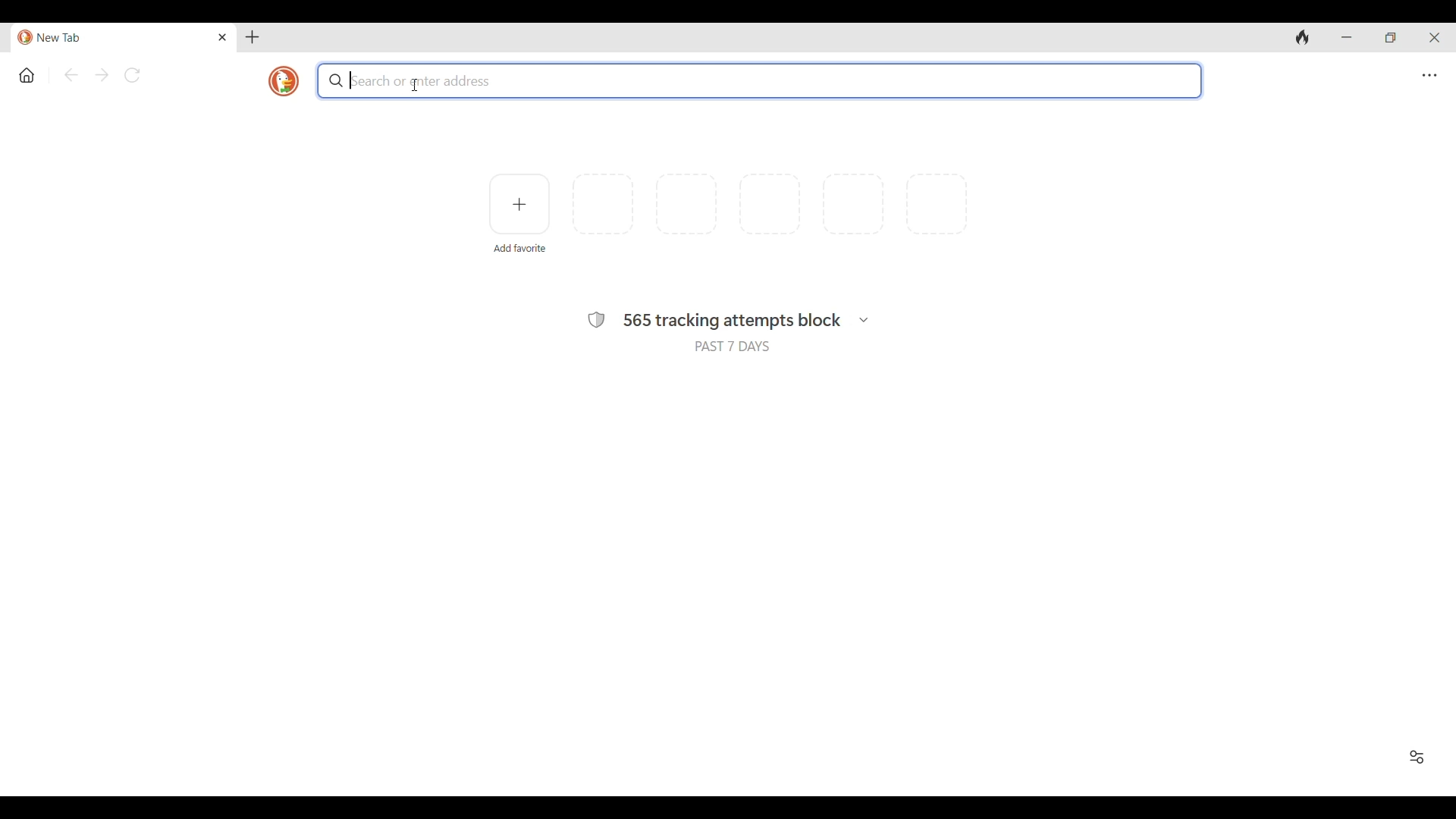  What do you see at coordinates (1345, 37) in the screenshot?
I see `Minimize` at bounding box center [1345, 37].